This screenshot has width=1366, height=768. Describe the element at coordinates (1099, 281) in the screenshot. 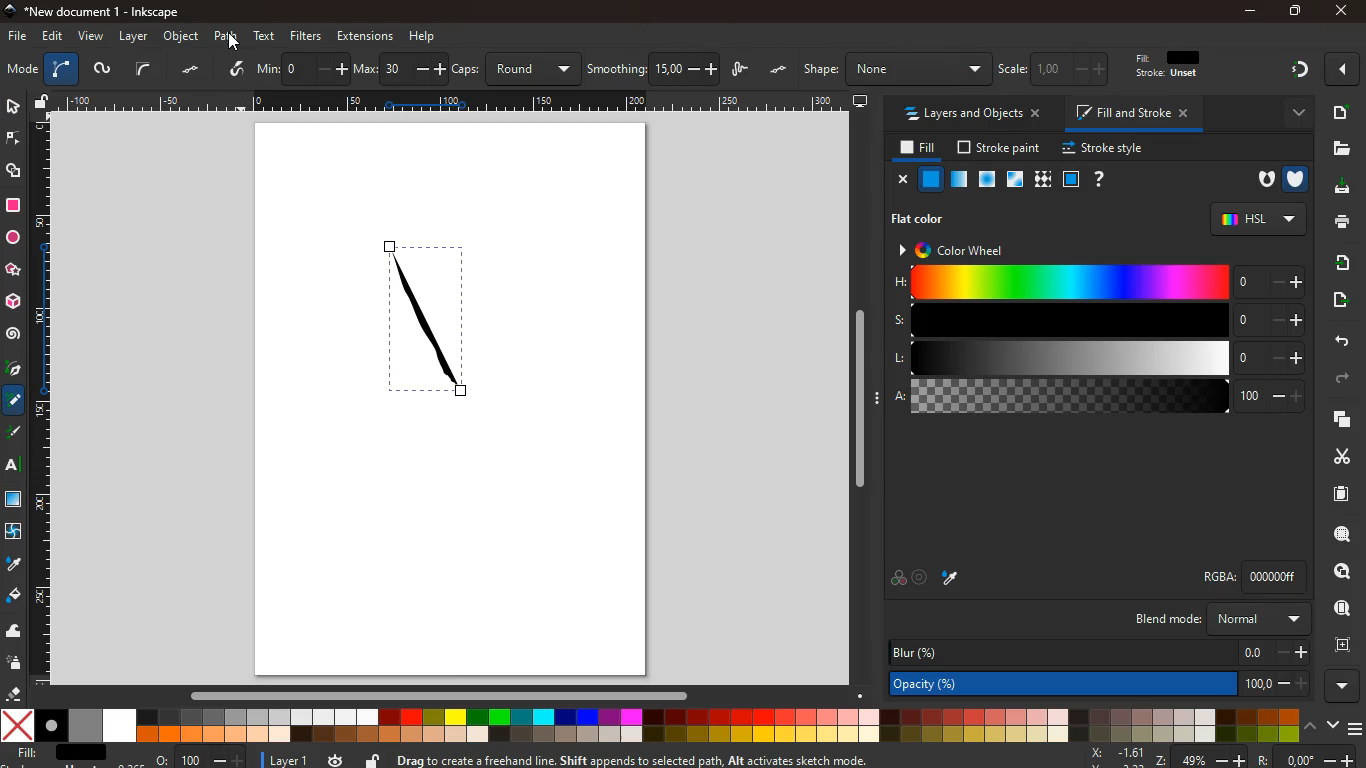

I see `h` at that location.